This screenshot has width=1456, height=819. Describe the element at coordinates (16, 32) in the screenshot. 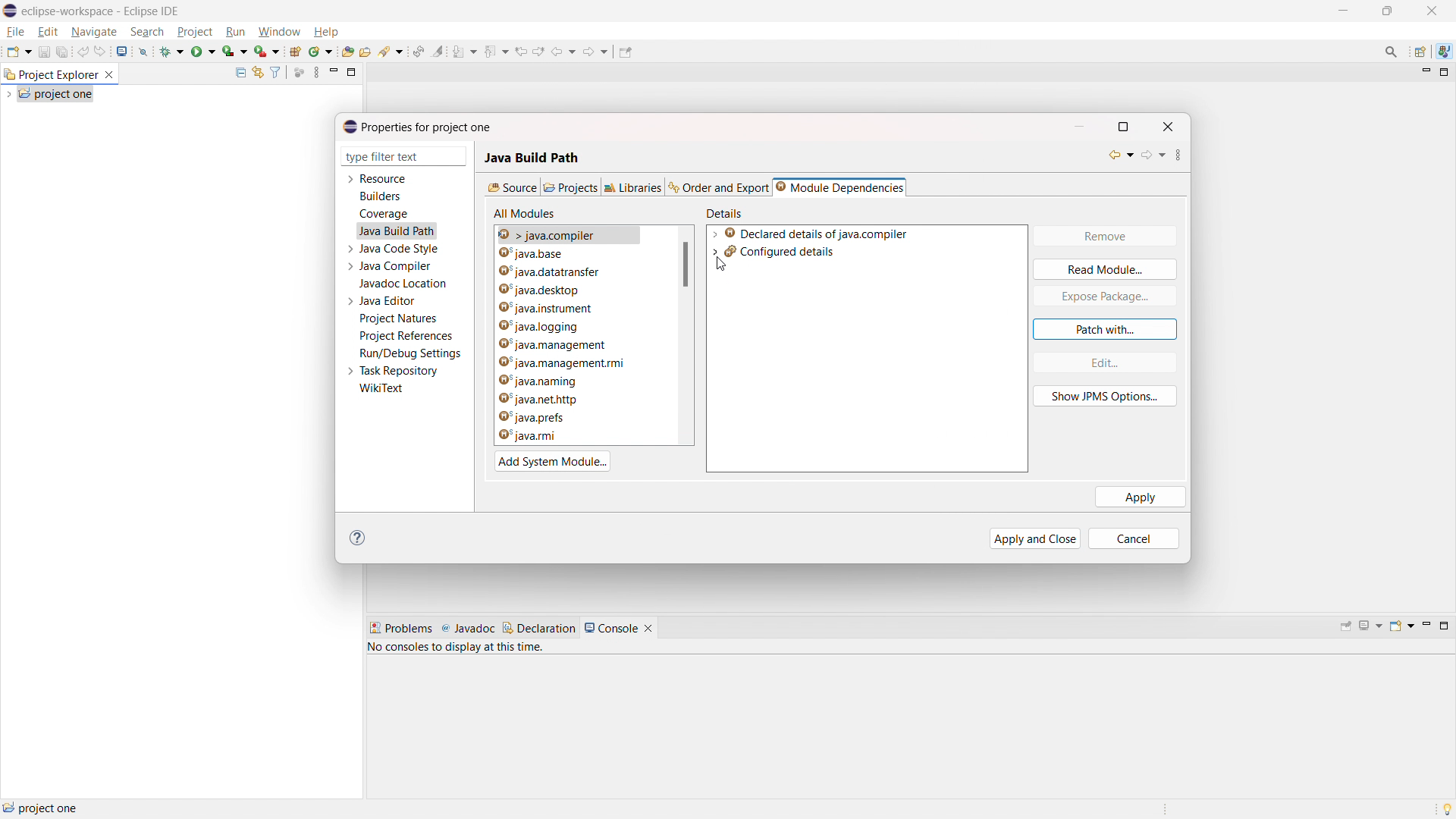

I see `file` at that location.